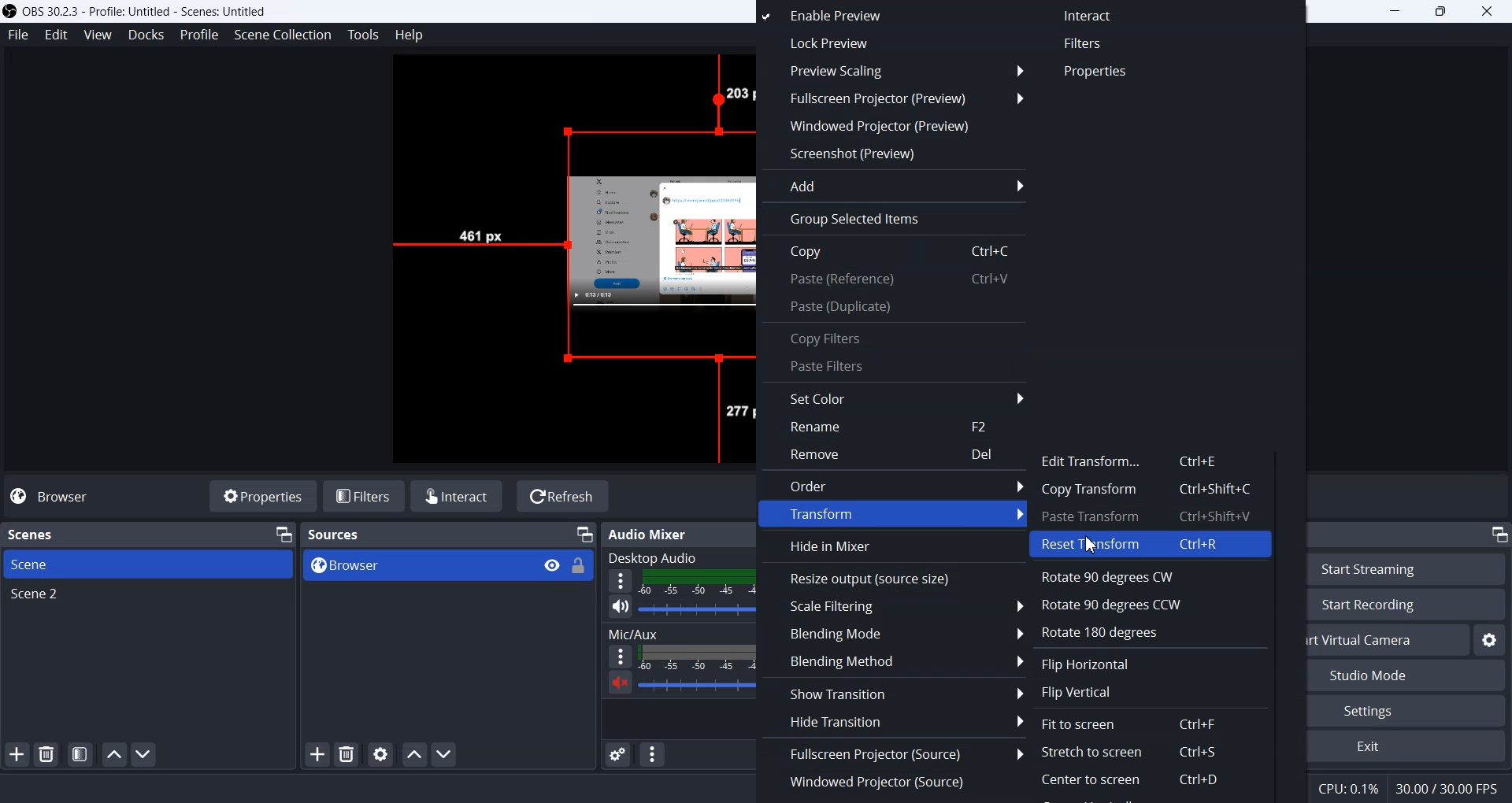 This screenshot has height=803, width=1512. Describe the element at coordinates (149, 564) in the screenshot. I see `Scene` at that location.